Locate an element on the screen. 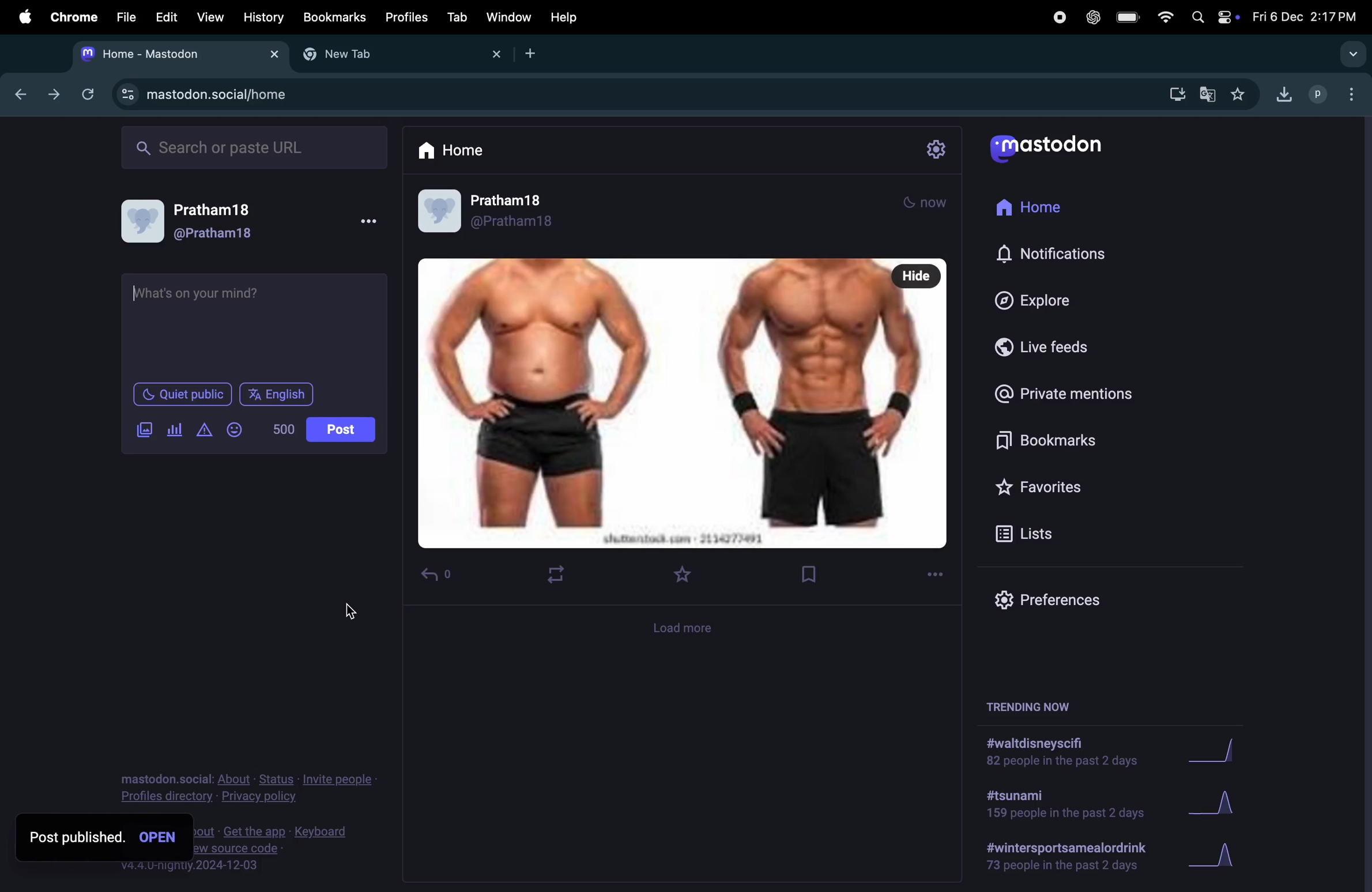 The width and height of the screenshot is (1372, 892). user profile is located at coordinates (1319, 93).